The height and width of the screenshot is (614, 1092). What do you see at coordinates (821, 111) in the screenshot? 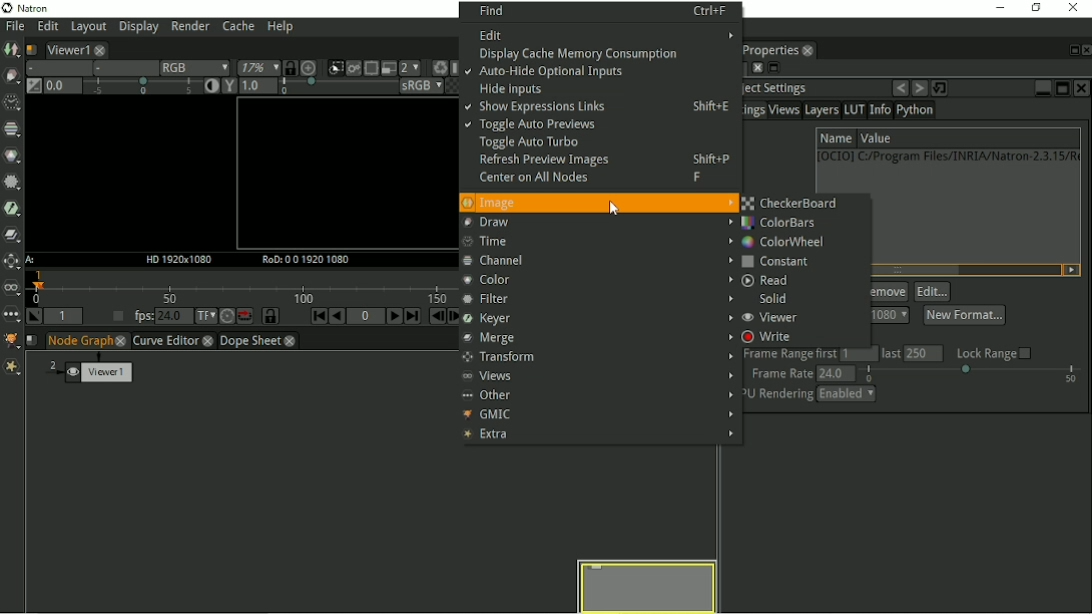
I see `Layers` at bounding box center [821, 111].